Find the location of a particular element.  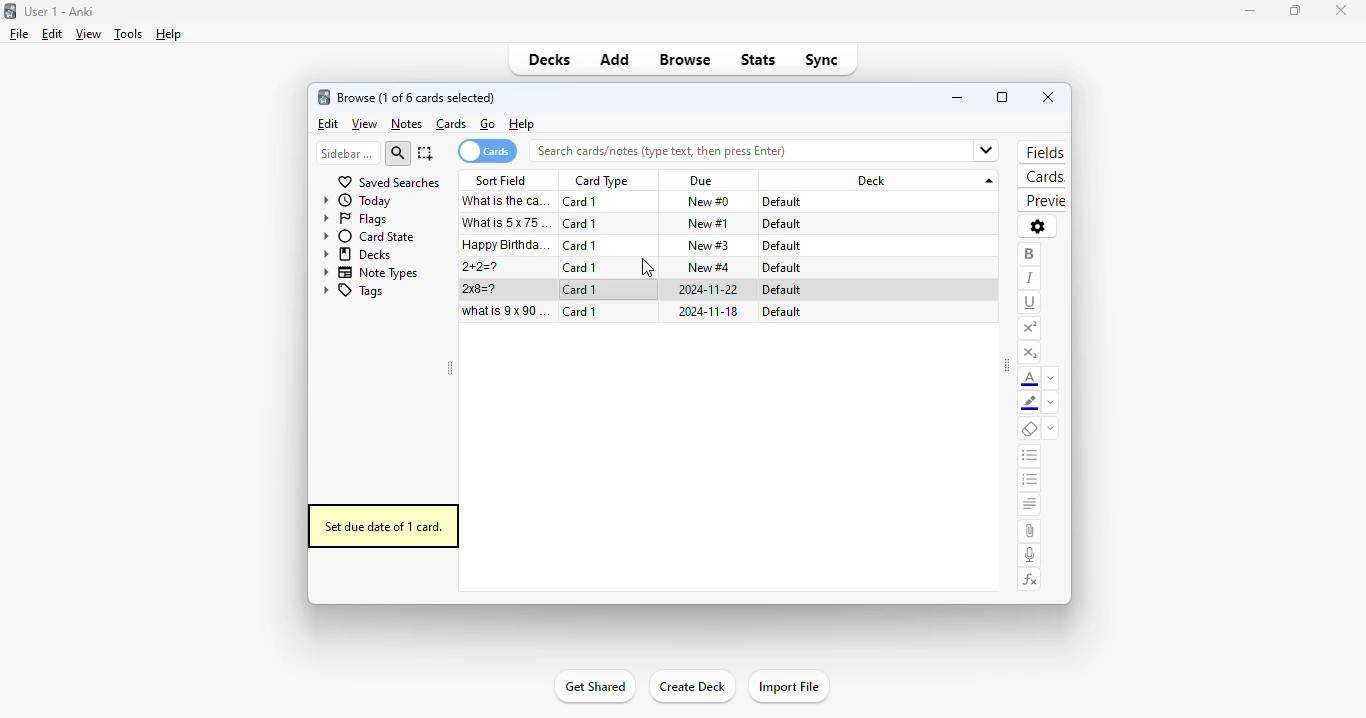

equations is located at coordinates (1031, 580).